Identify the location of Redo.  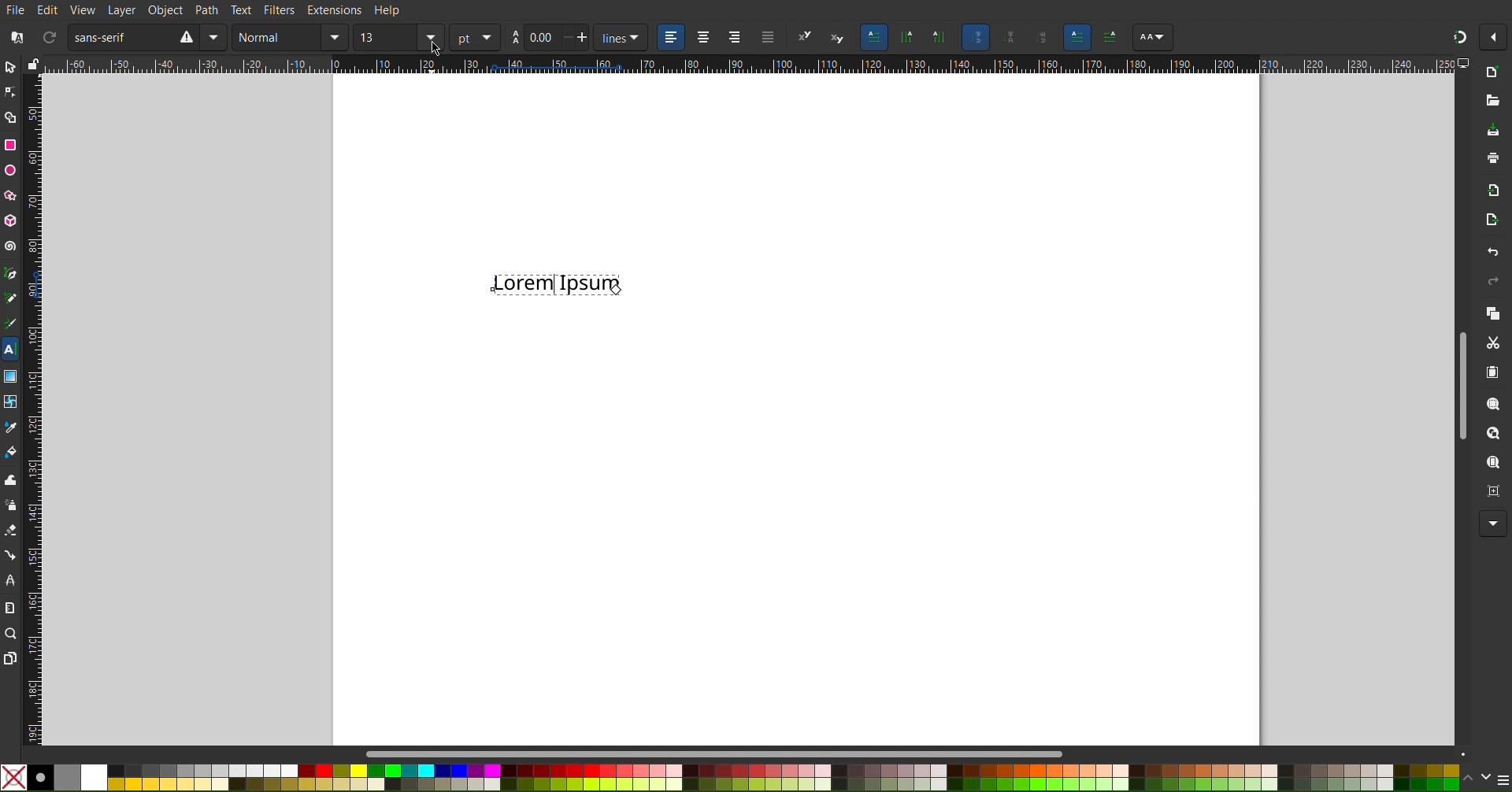
(1492, 281).